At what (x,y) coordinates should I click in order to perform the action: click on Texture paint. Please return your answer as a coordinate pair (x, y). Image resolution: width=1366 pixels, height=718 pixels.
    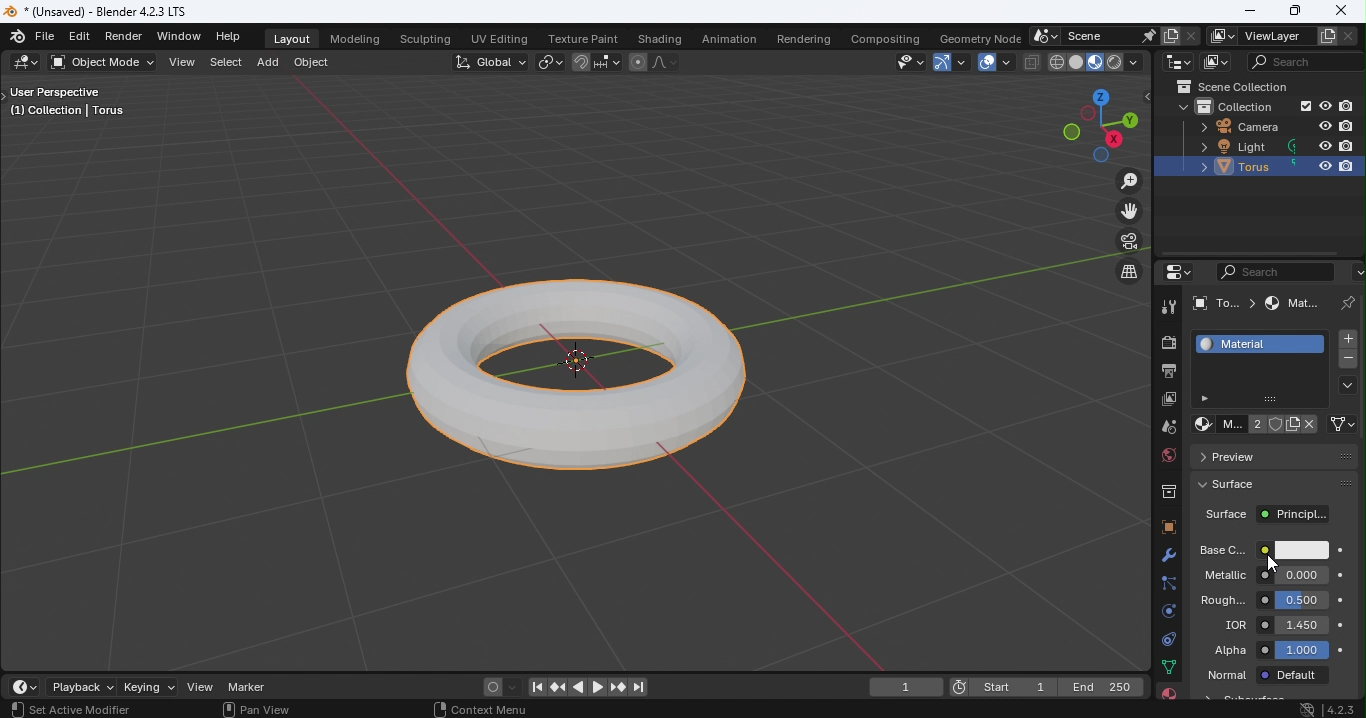
    Looking at the image, I should click on (584, 37).